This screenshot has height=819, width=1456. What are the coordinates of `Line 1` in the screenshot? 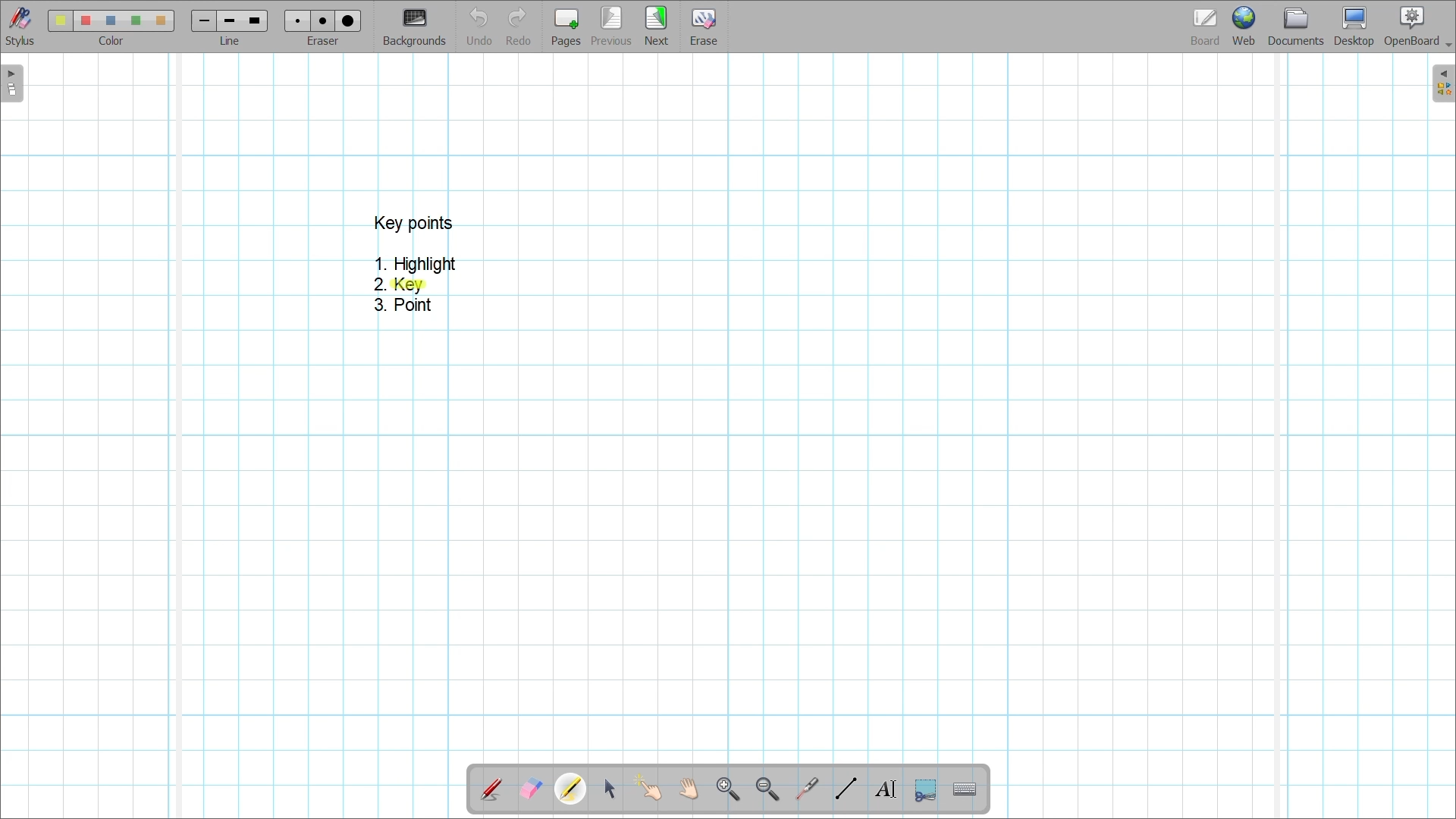 It's located at (202, 20).